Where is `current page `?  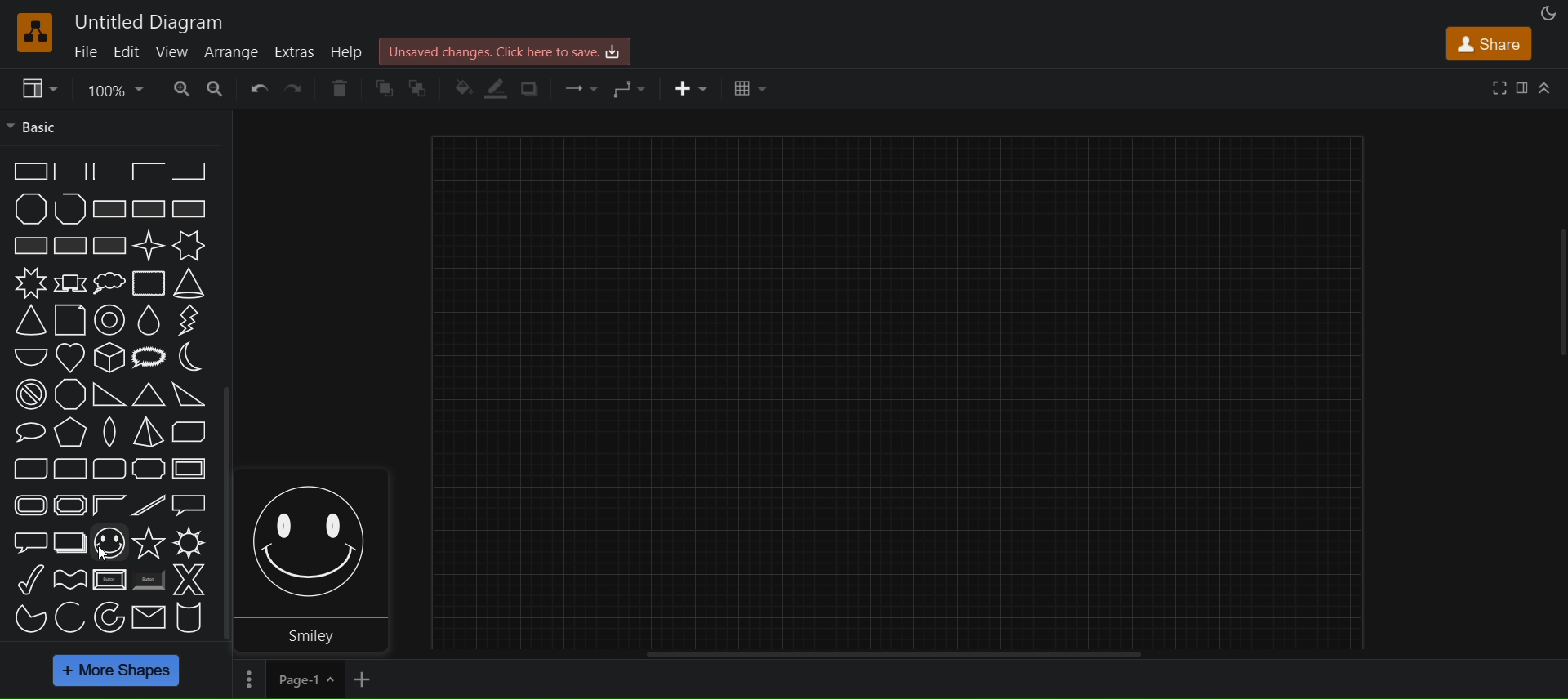 current page  is located at coordinates (304, 679).